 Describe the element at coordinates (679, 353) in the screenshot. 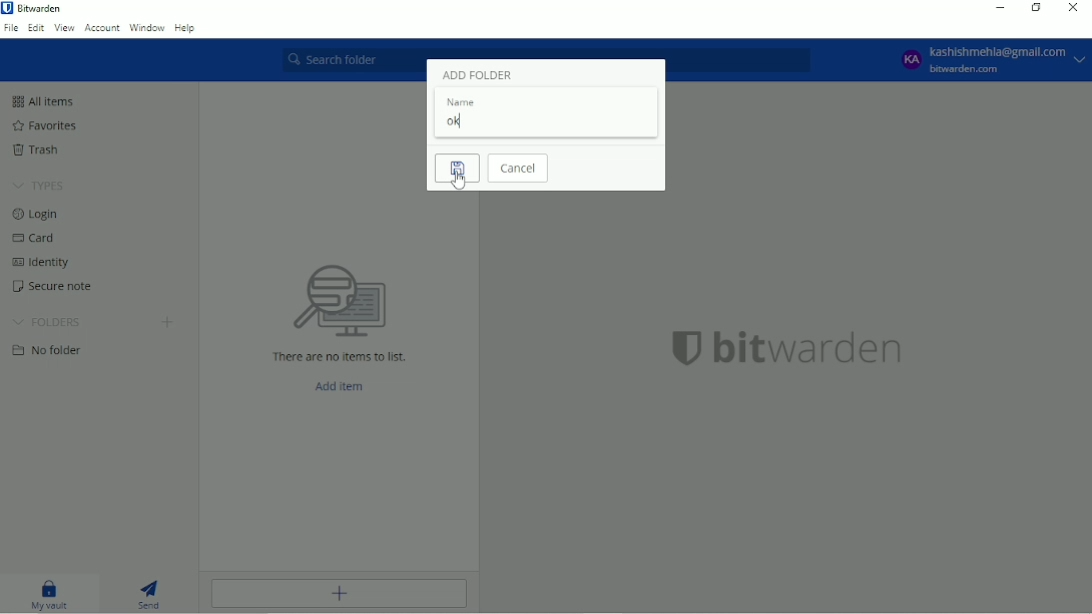

I see `bitwarden logo` at that location.